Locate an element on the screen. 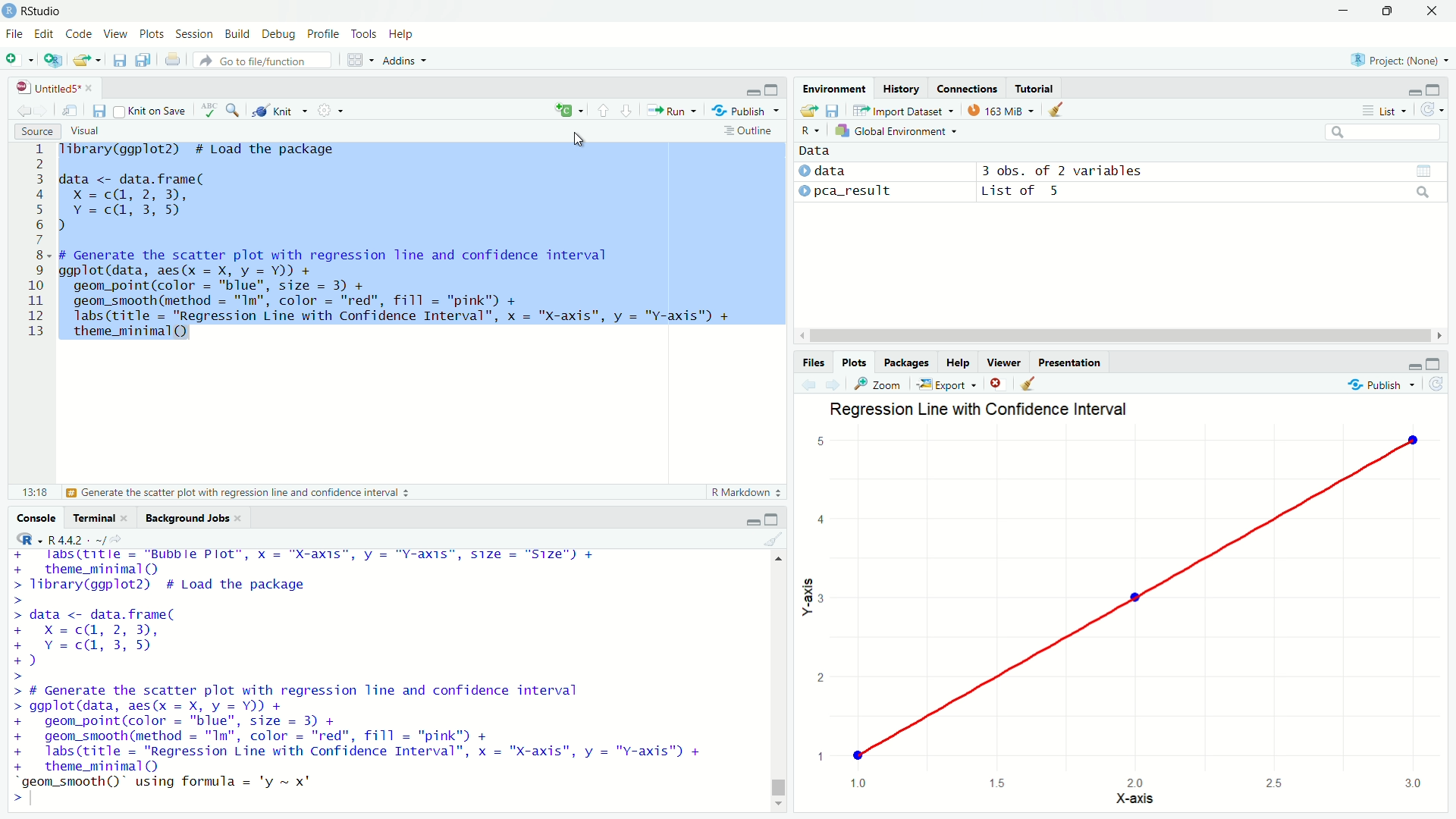 This screenshot has height=819, width=1456. Clear all plots is located at coordinates (1028, 384).